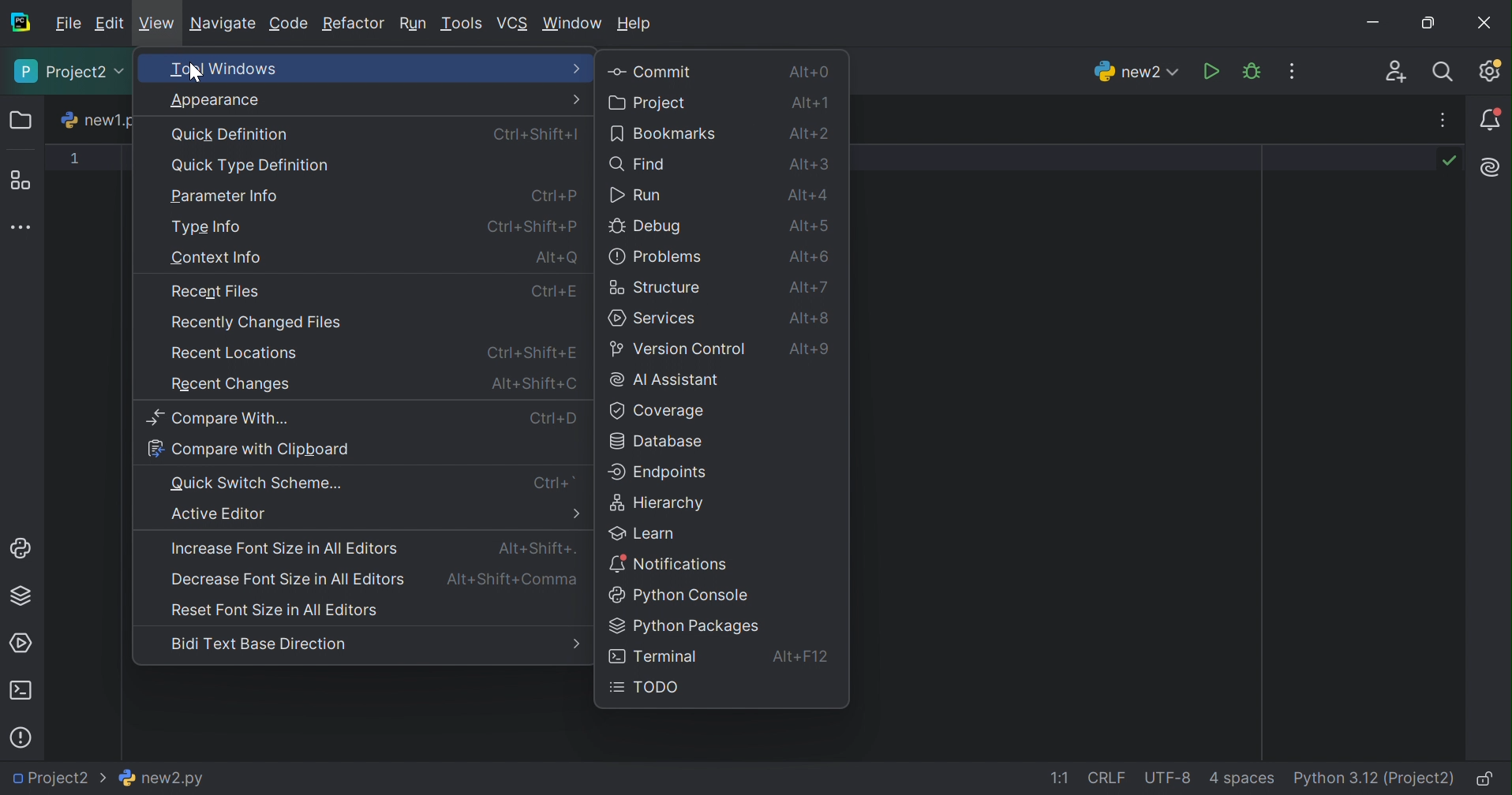 The height and width of the screenshot is (795, 1512). I want to click on Alt+Shift+Comma, so click(513, 581).